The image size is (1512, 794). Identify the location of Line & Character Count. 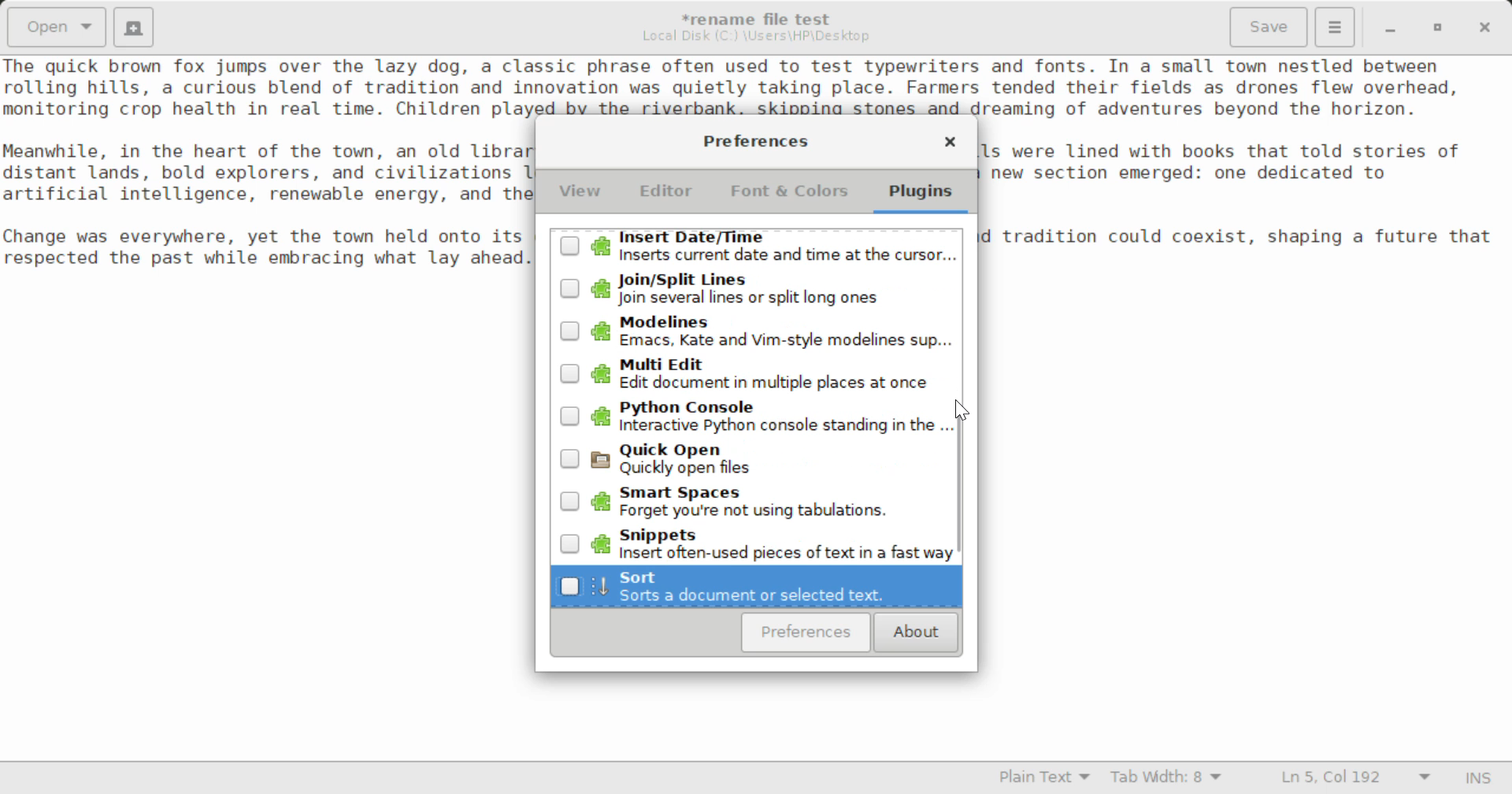
(1356, 779).